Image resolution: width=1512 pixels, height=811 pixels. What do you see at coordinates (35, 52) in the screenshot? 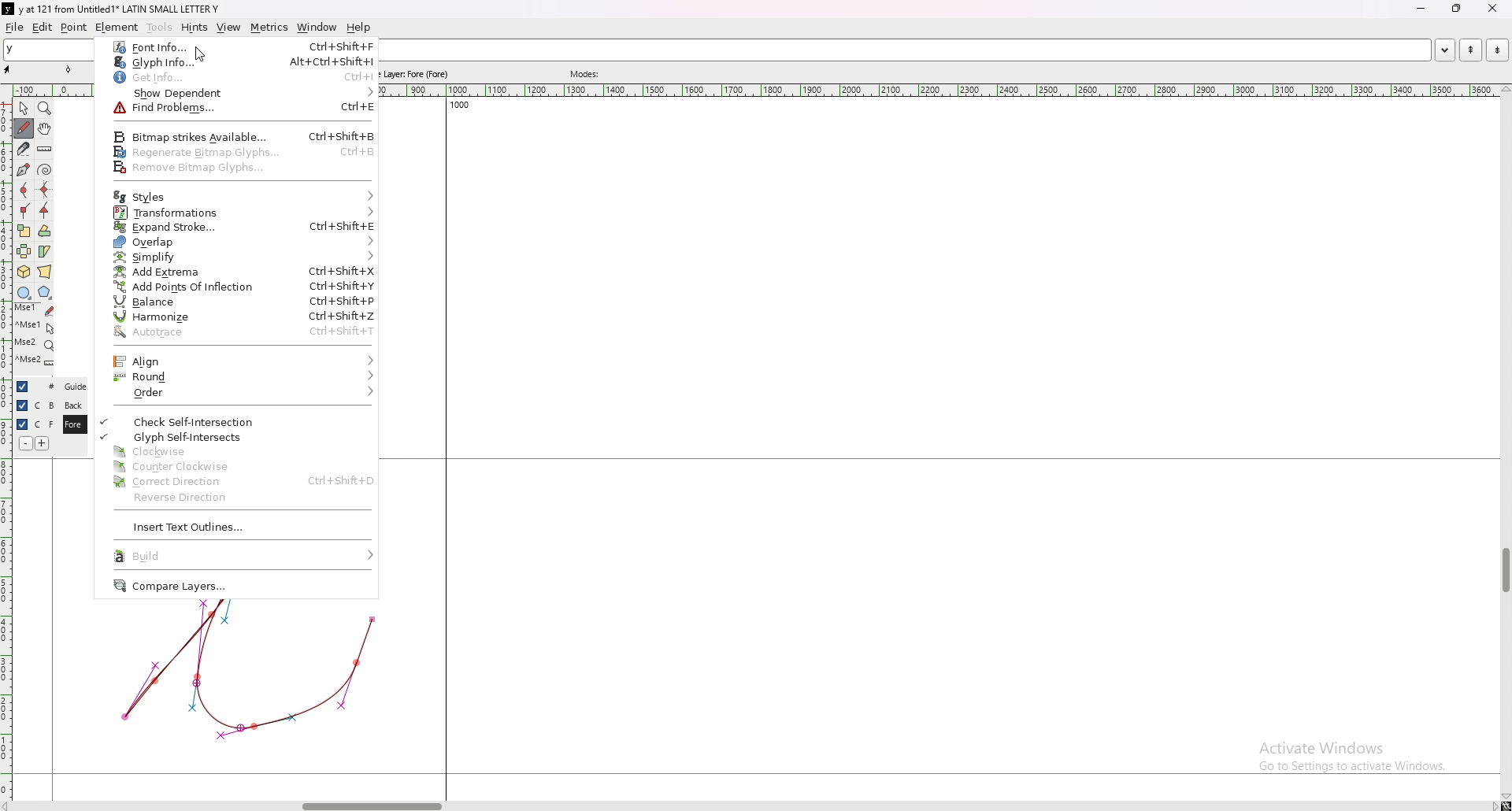
I see `y` at bounding box center [35, 52].